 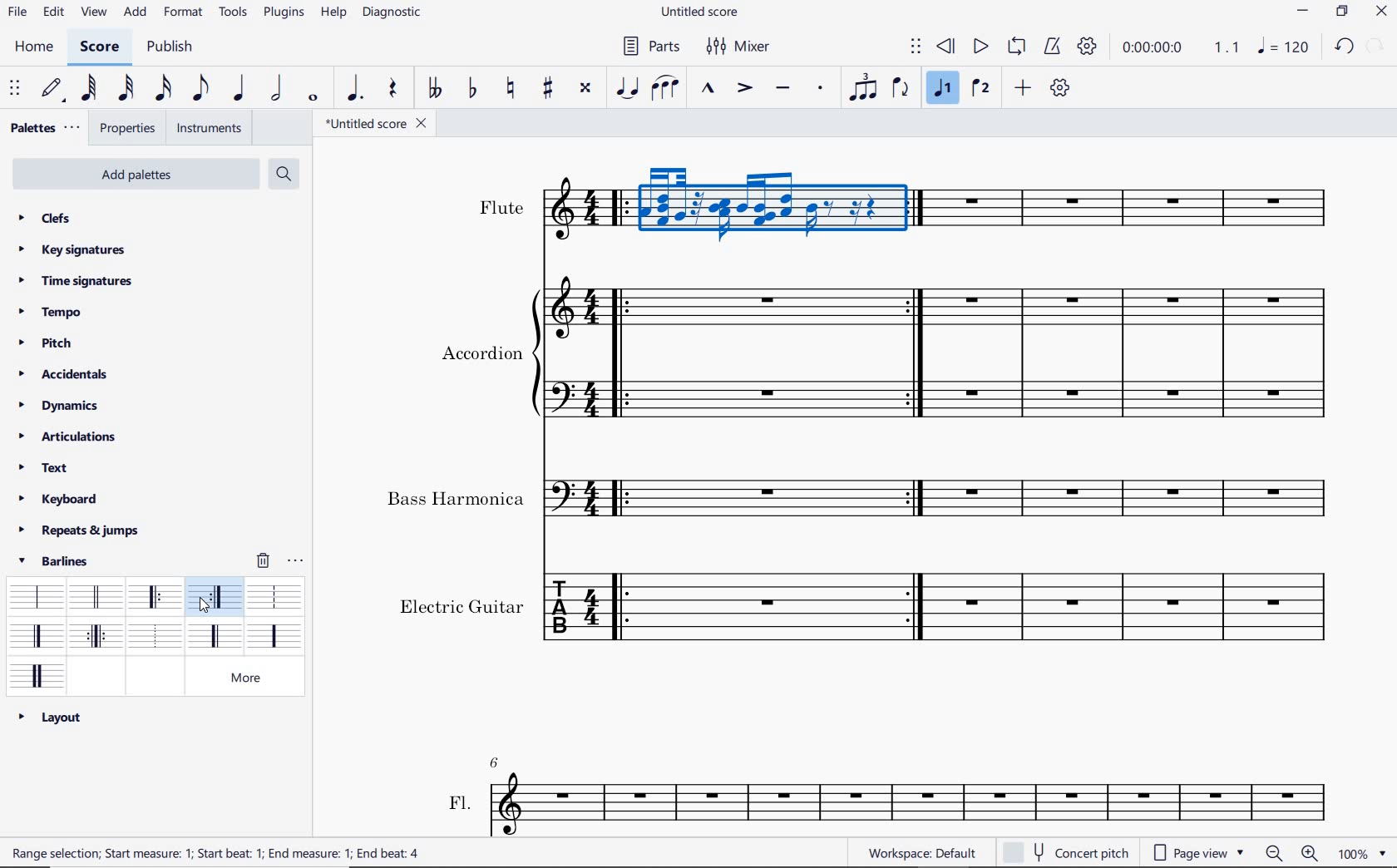 I want to click on PUBLISH, so click(x=172, y=48).